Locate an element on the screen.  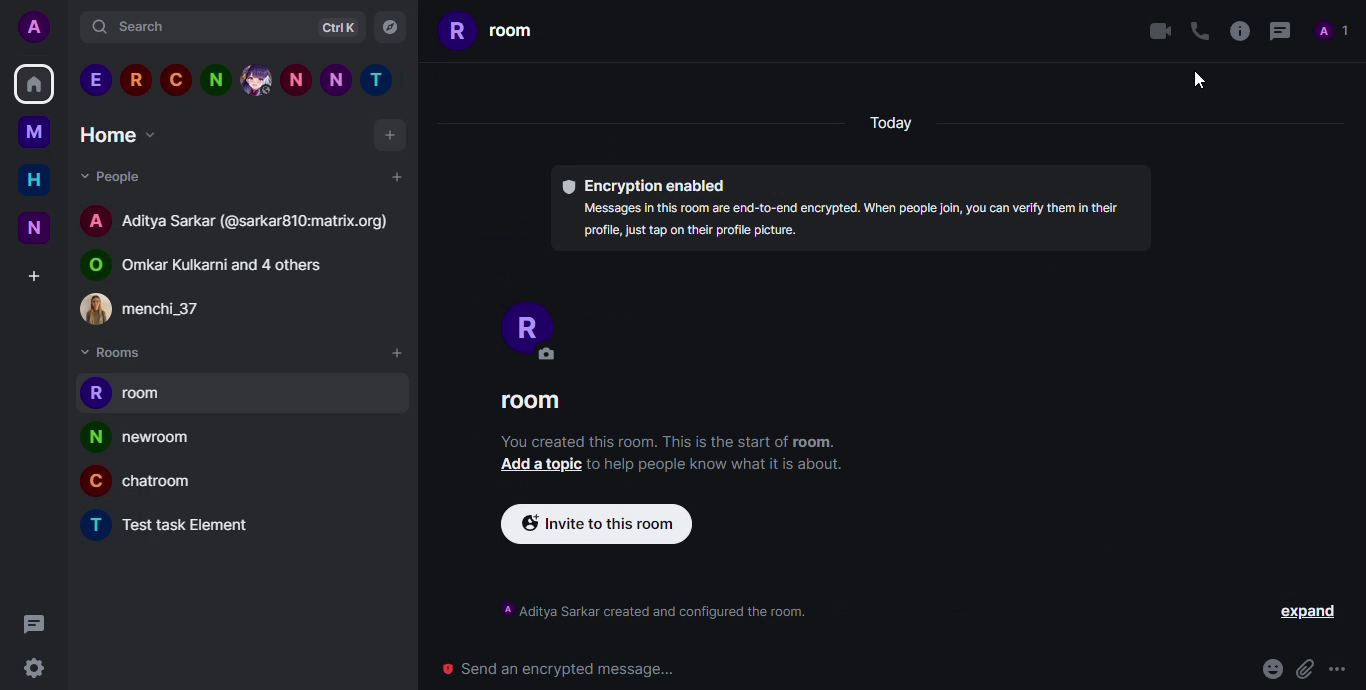
invite to this room is located at coordinates (599, 524).